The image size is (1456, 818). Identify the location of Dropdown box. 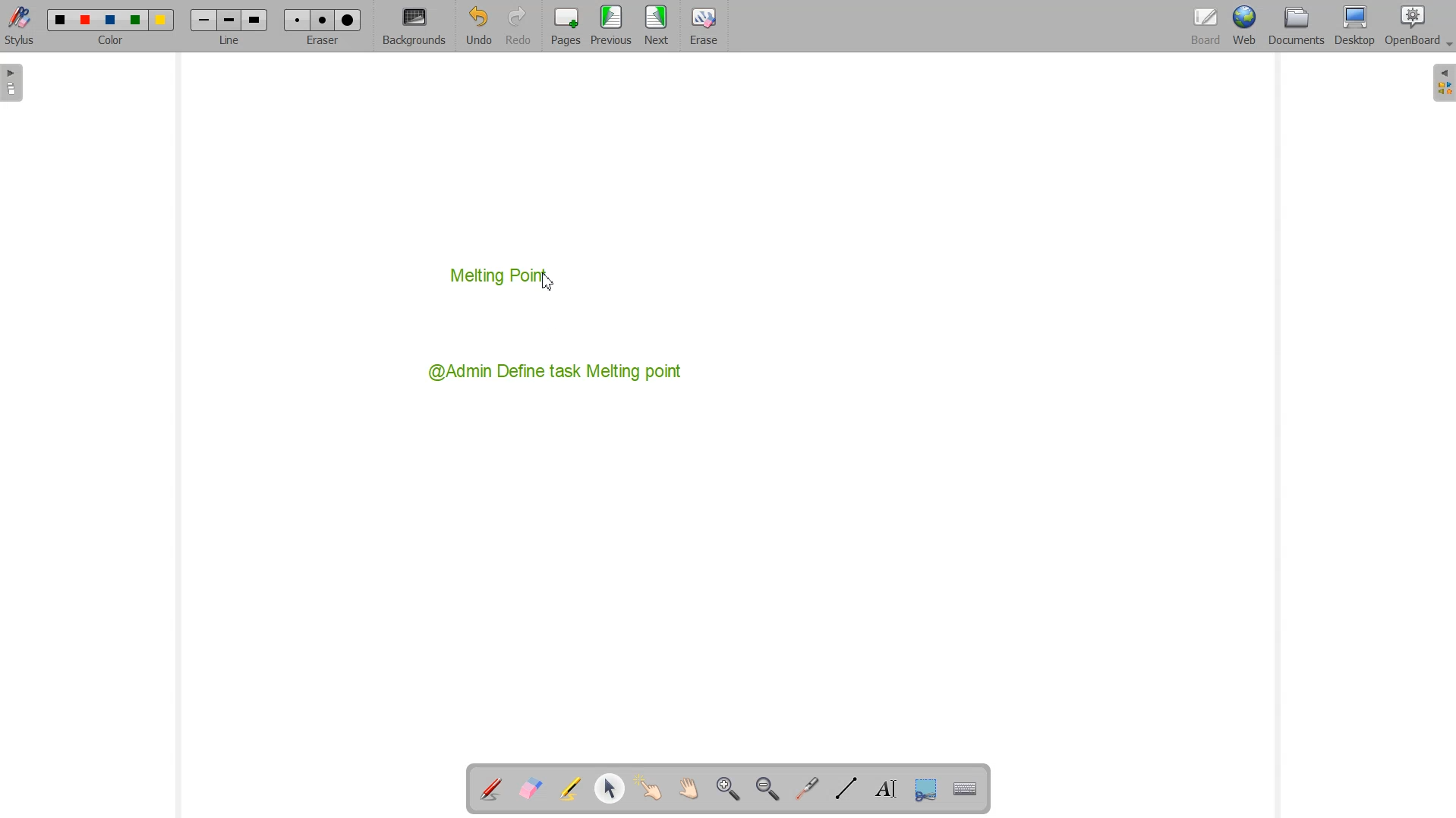
(1447, 46).